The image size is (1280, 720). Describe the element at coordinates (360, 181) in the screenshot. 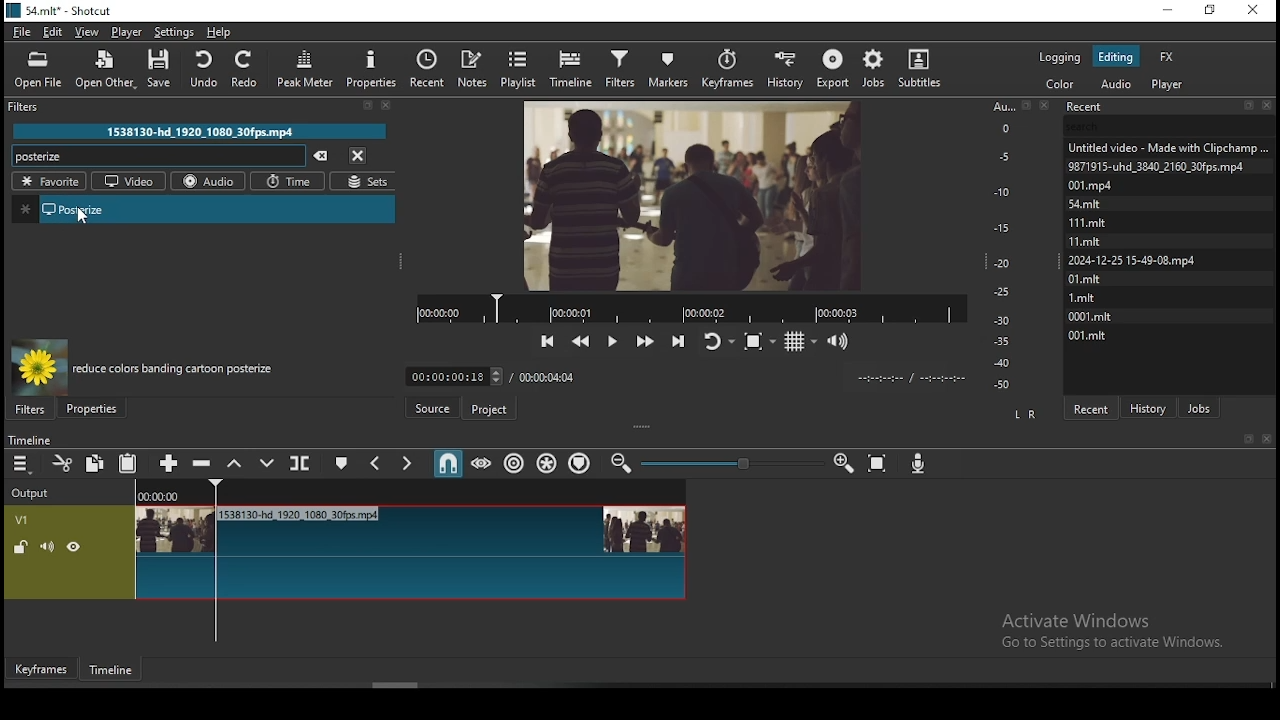

I see `sets` at that location.